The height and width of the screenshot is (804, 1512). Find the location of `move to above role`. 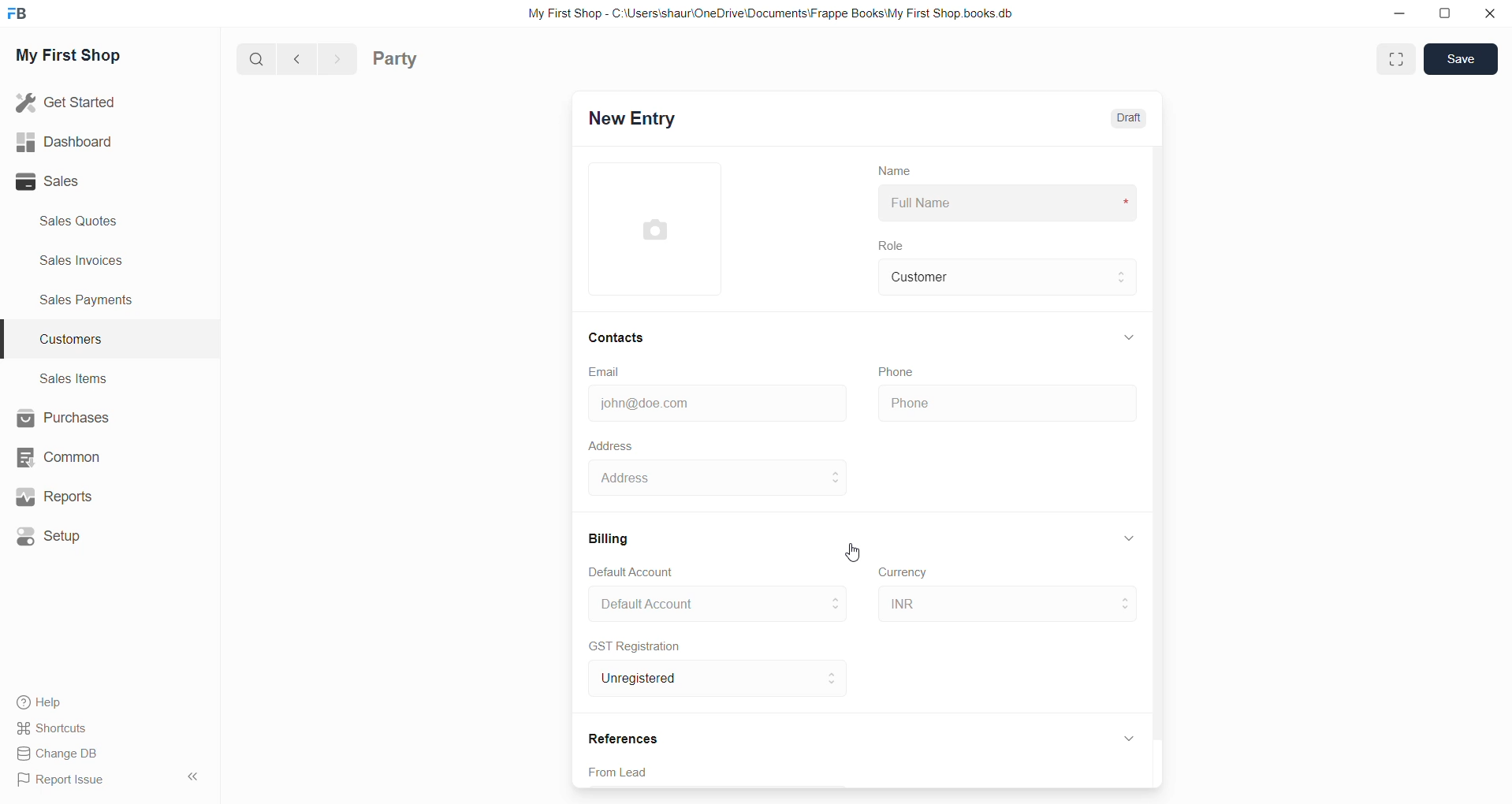

move to above role is located at coordinates (1124, 270).